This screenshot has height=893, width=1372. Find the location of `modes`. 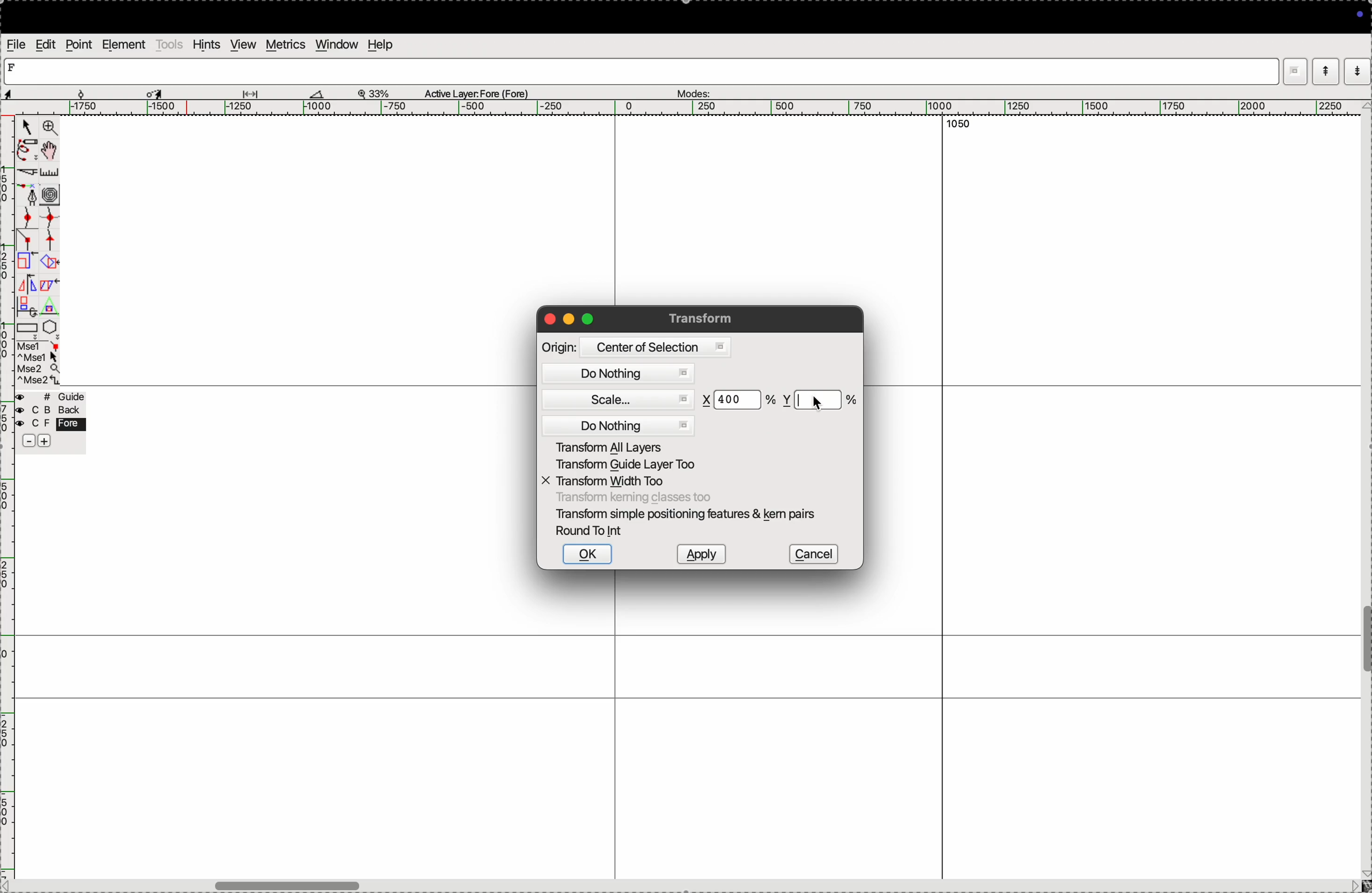

modes is located at coordinates (692, 91).